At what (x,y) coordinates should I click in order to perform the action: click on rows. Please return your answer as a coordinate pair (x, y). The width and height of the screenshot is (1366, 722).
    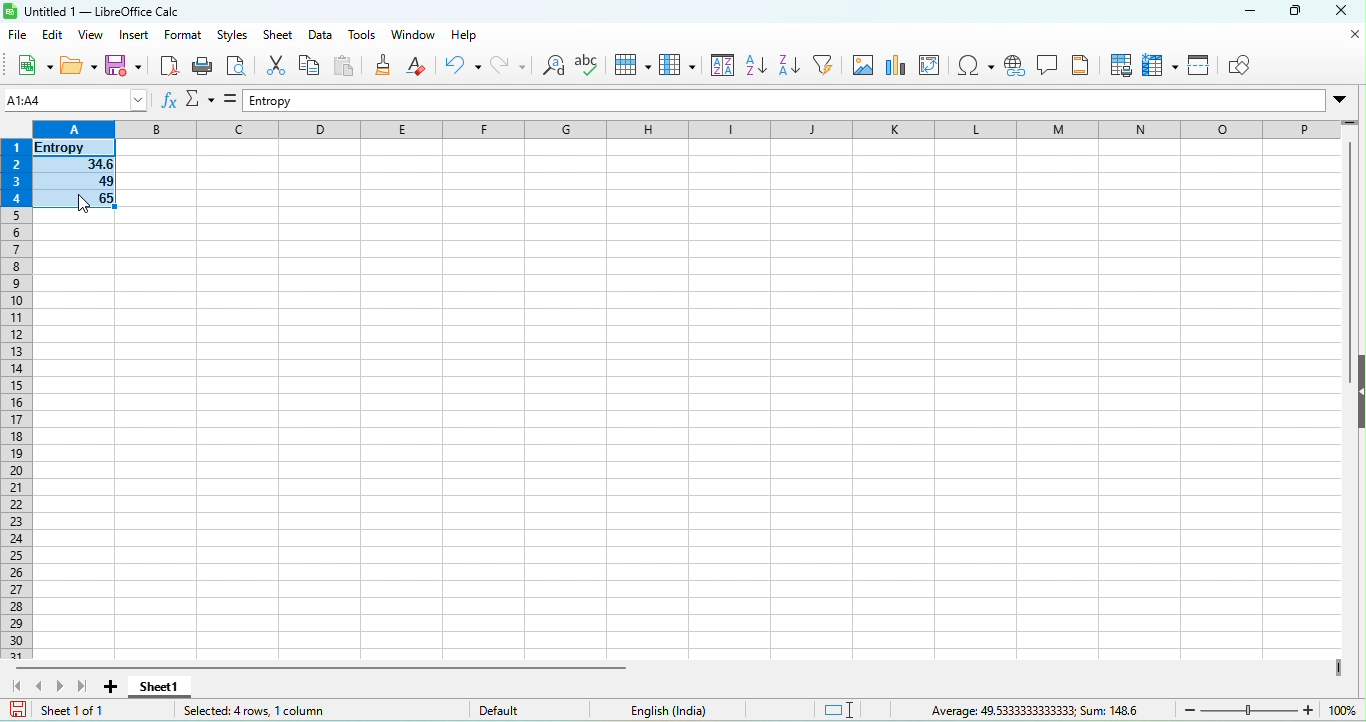
    Looking at the image, I should click on (15, 390).